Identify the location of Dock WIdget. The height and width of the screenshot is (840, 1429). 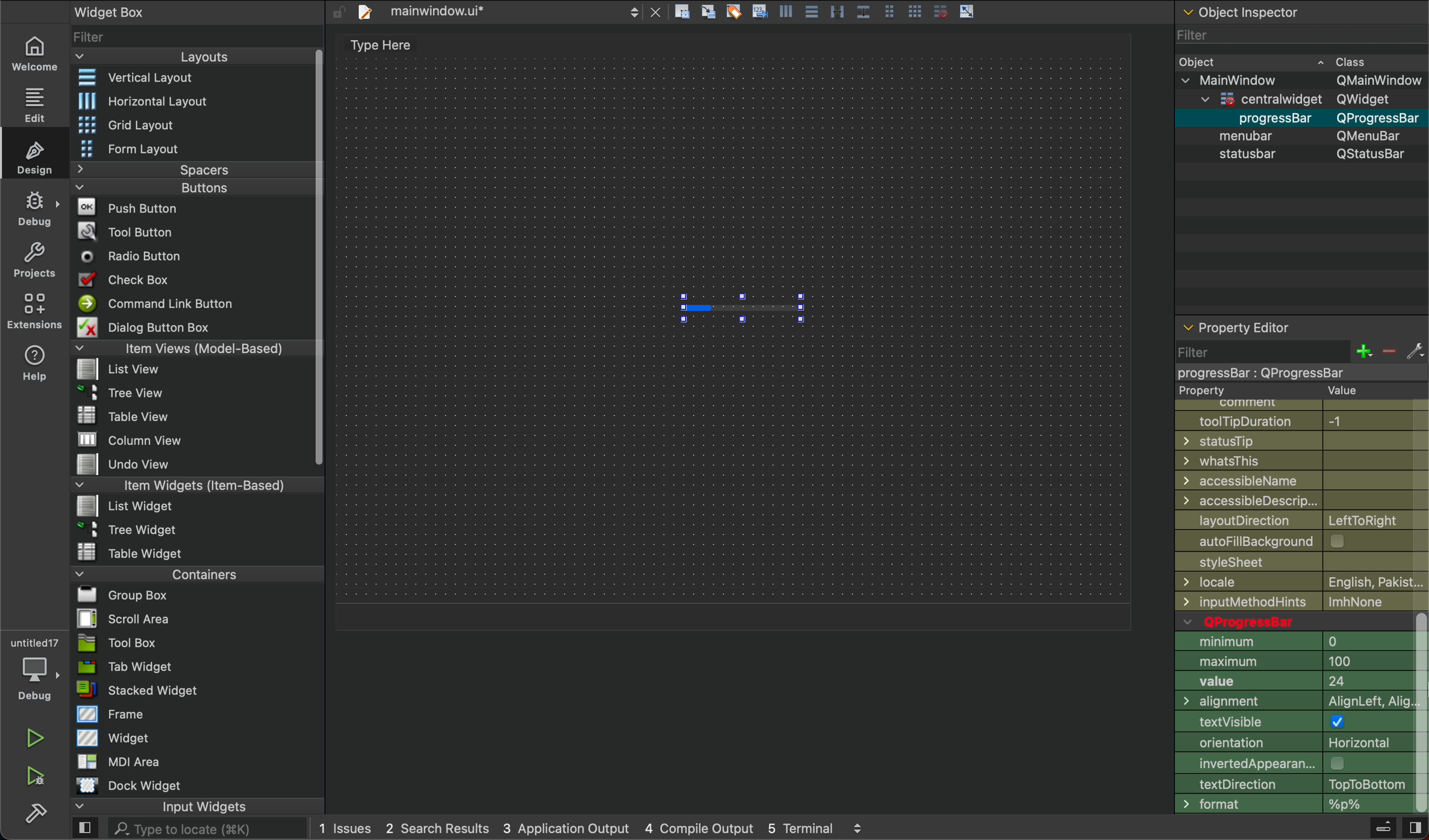
(129, 786).